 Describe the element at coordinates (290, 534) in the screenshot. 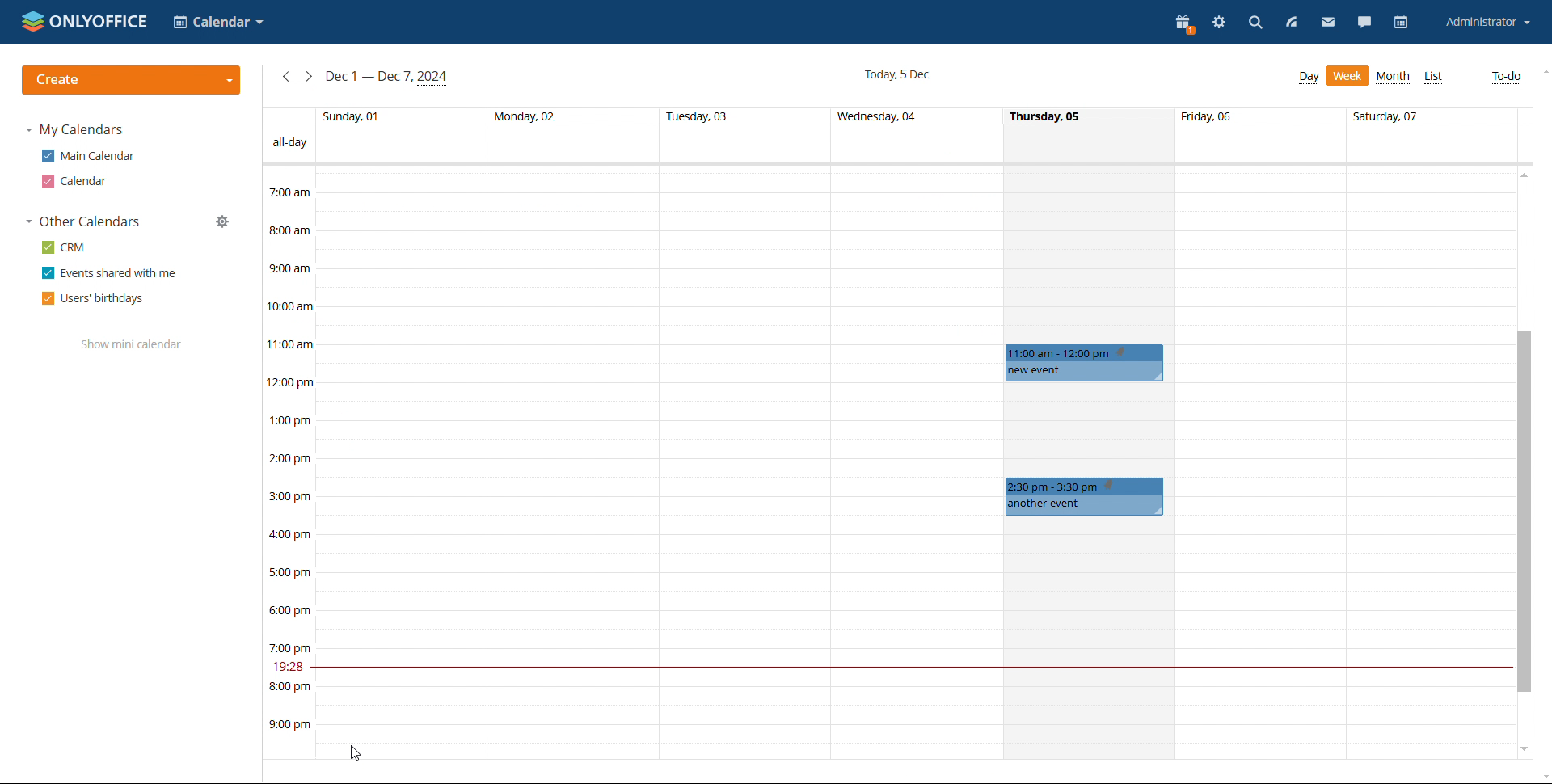

I see `4:00 pm` at that location.